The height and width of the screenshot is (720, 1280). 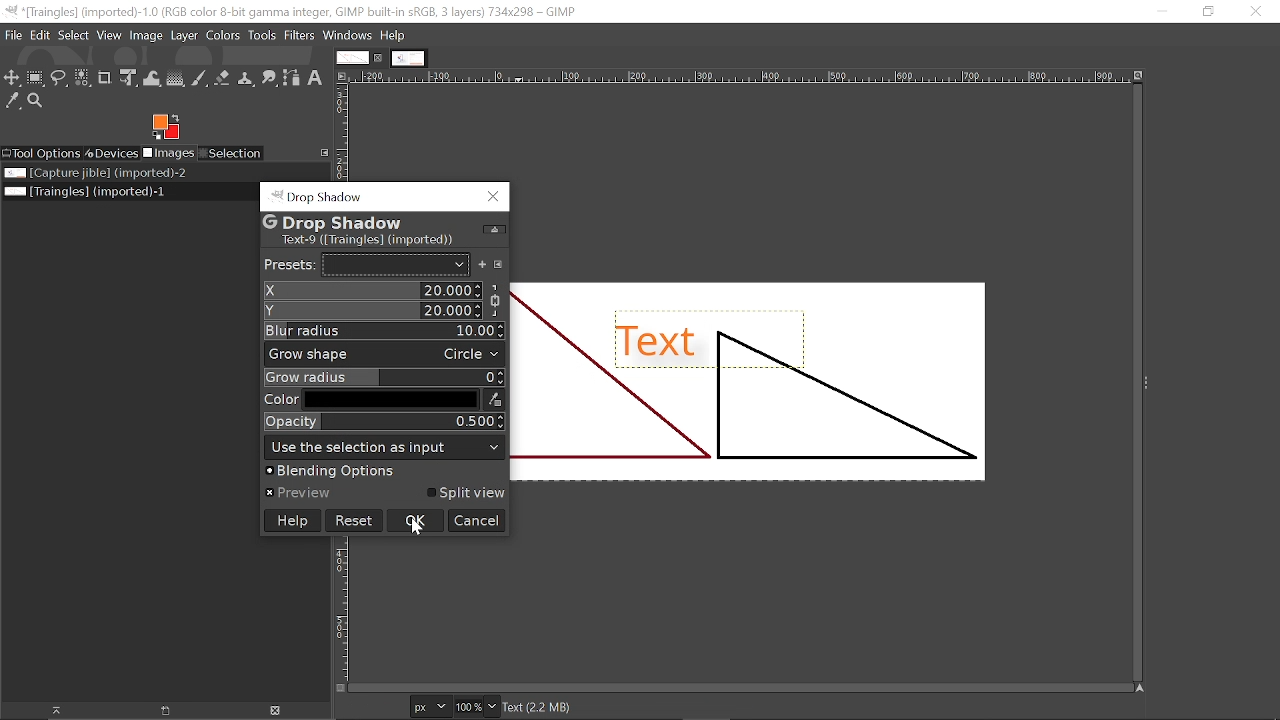 What do you see at coordinates (347, 36) in the screenshot?
I see `Windows` at bounding box center [347, 36].